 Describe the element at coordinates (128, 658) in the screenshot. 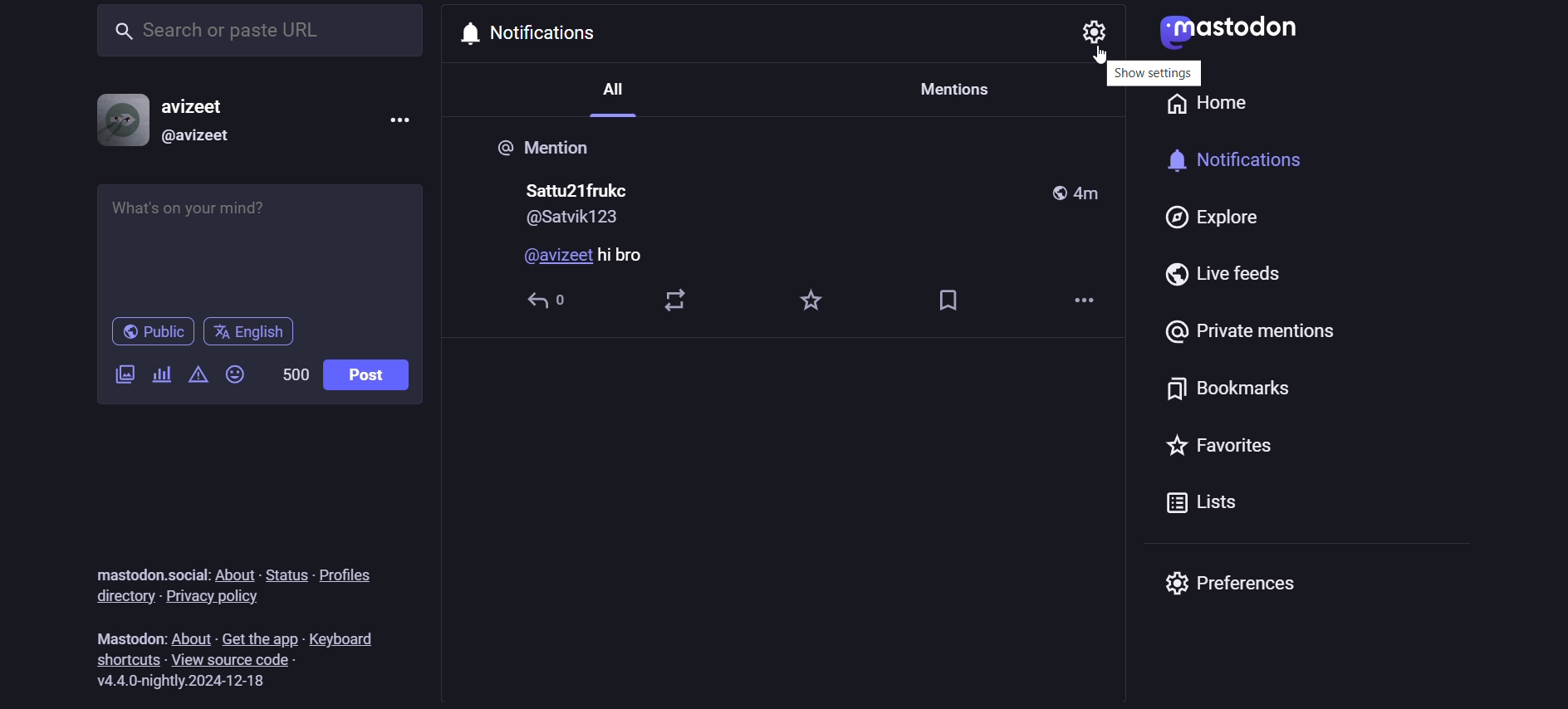

I see `shortcuts` at that location.